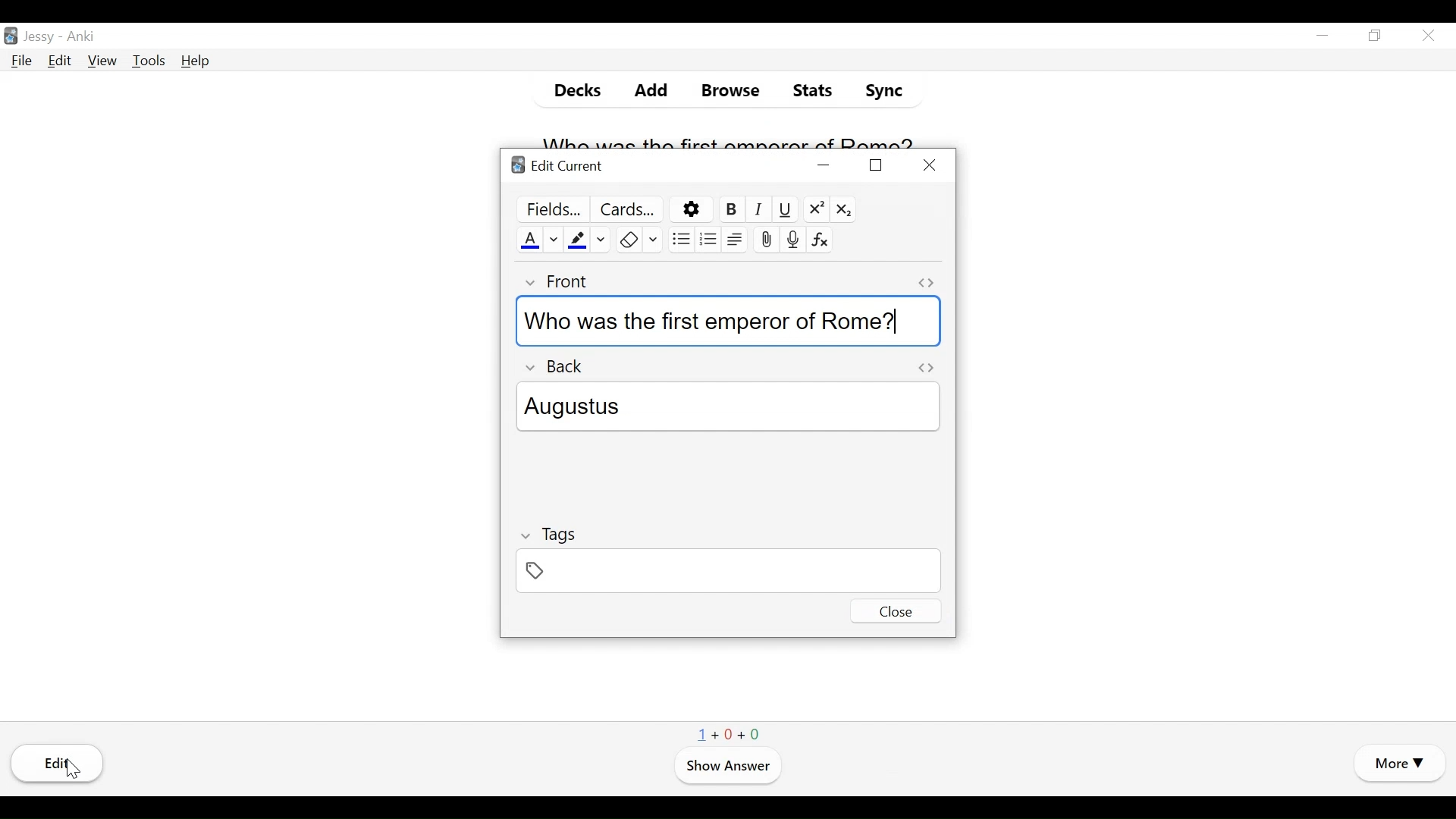  Describe the element at coordinates (11, 35) in the screenshot. I see `Anki Desktop Icon` at that location.